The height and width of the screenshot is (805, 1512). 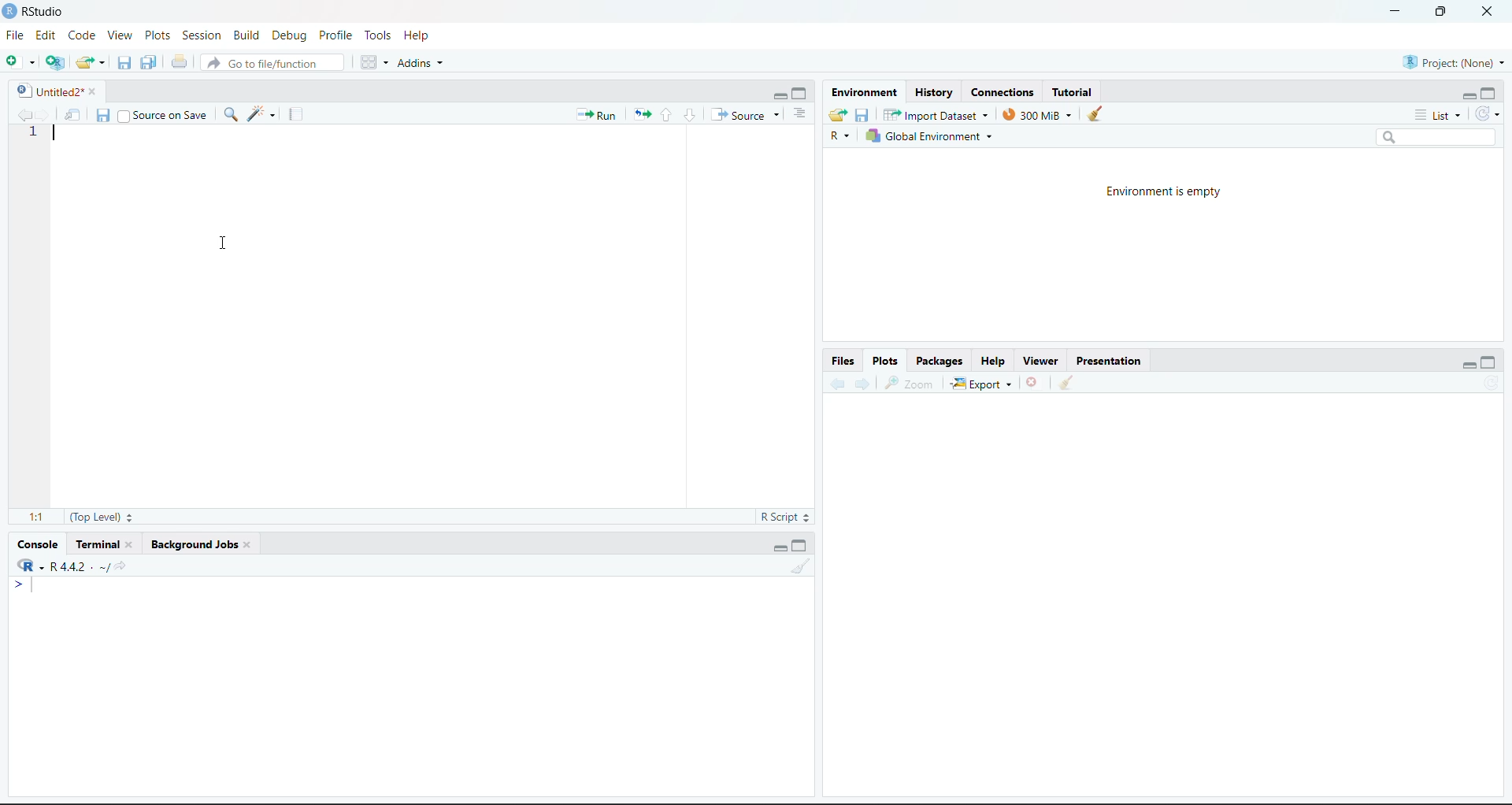 What do you see at coordinates (291, 116) in the screenshot?
I see `compile report` at bounding box center [291, 116].